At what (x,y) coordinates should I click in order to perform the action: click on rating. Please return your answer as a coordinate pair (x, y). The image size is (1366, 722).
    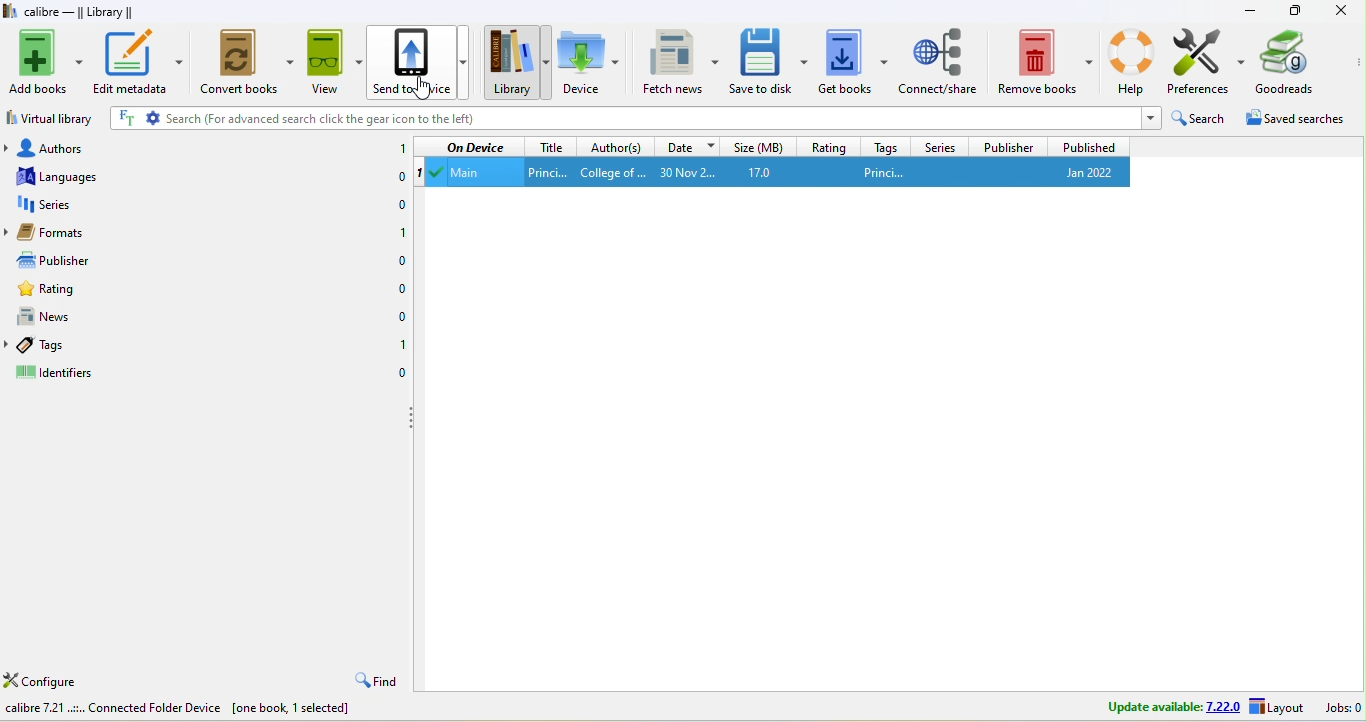
    Looking at the image, I should click on (65, 287).